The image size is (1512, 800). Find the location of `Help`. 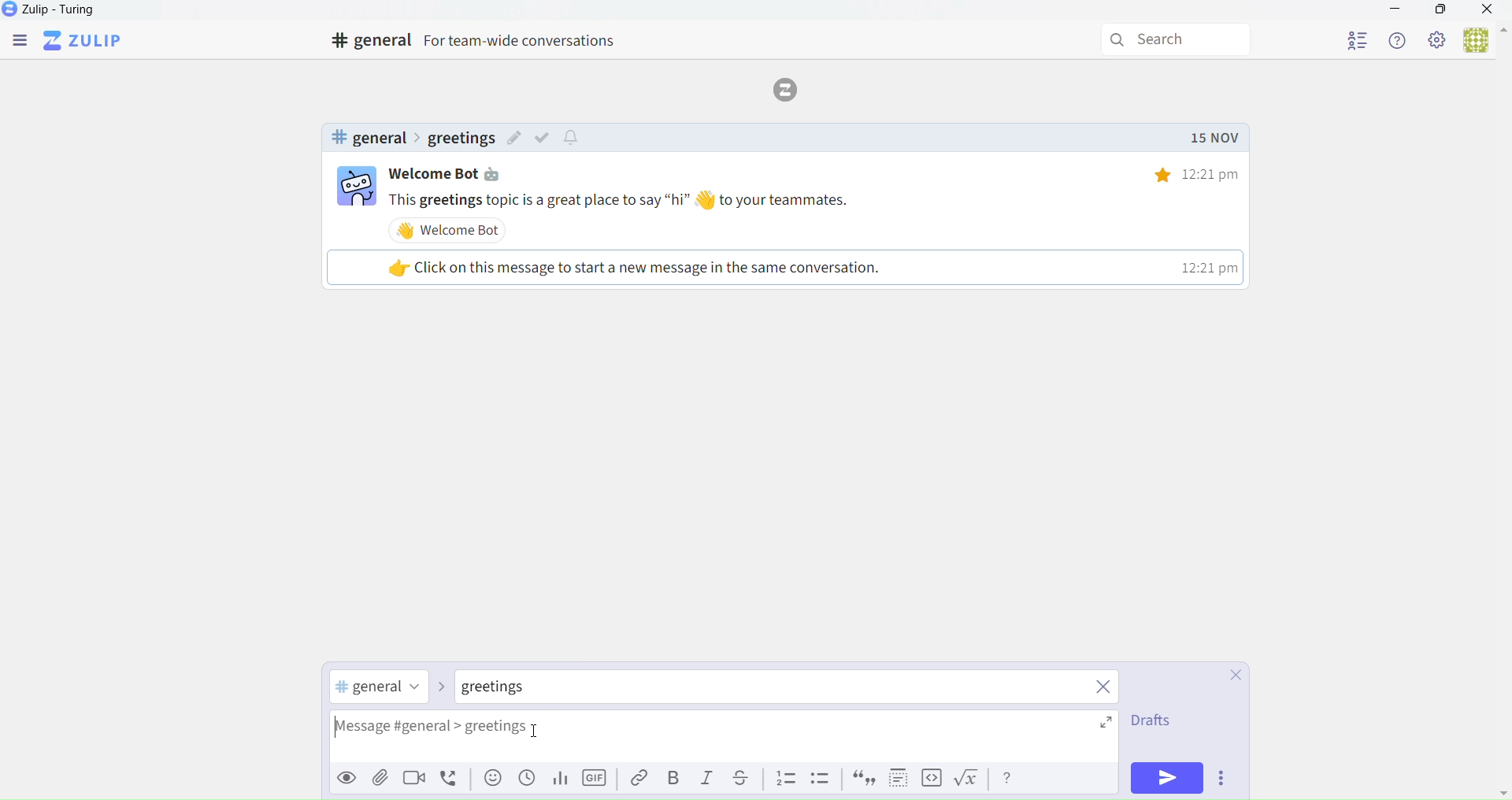

Help is located at coordinates (1009, 778).